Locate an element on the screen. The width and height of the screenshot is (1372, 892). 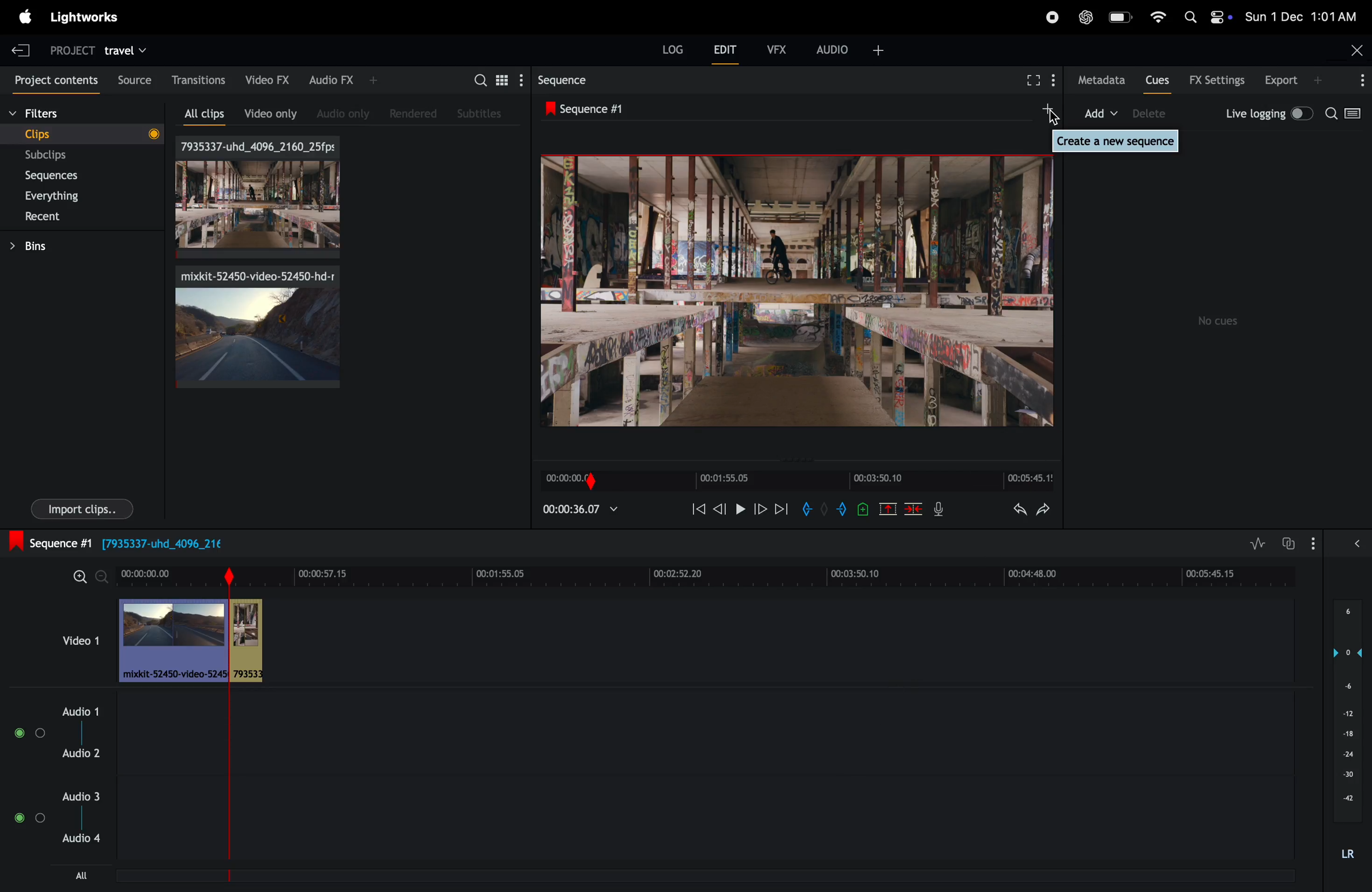
time frame is located at coordinates (708, 574).